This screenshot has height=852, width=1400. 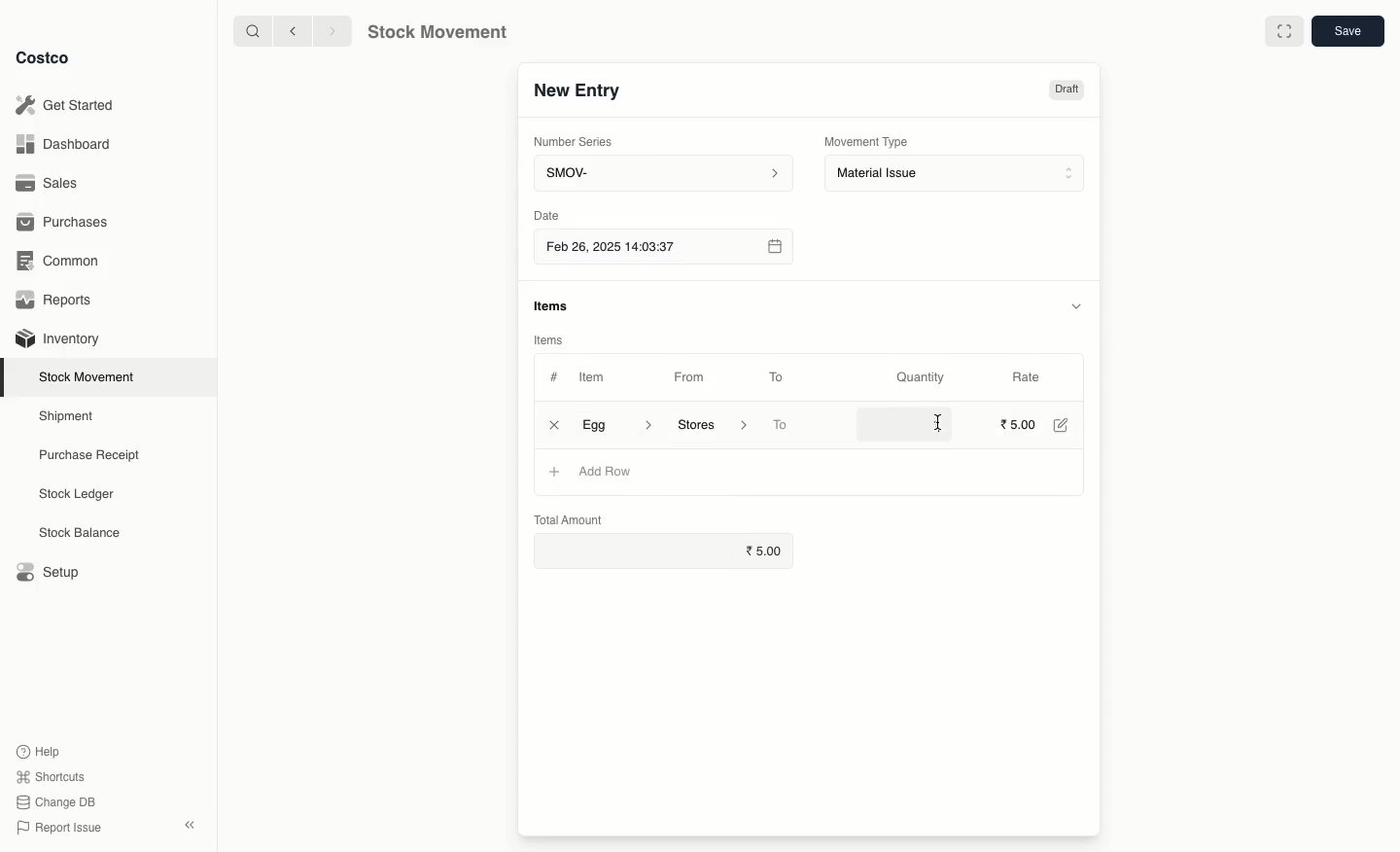 What do you see at coordinates (60, 339) in the screenshot?
I see `Inventory` at bounding box center [60, 339].